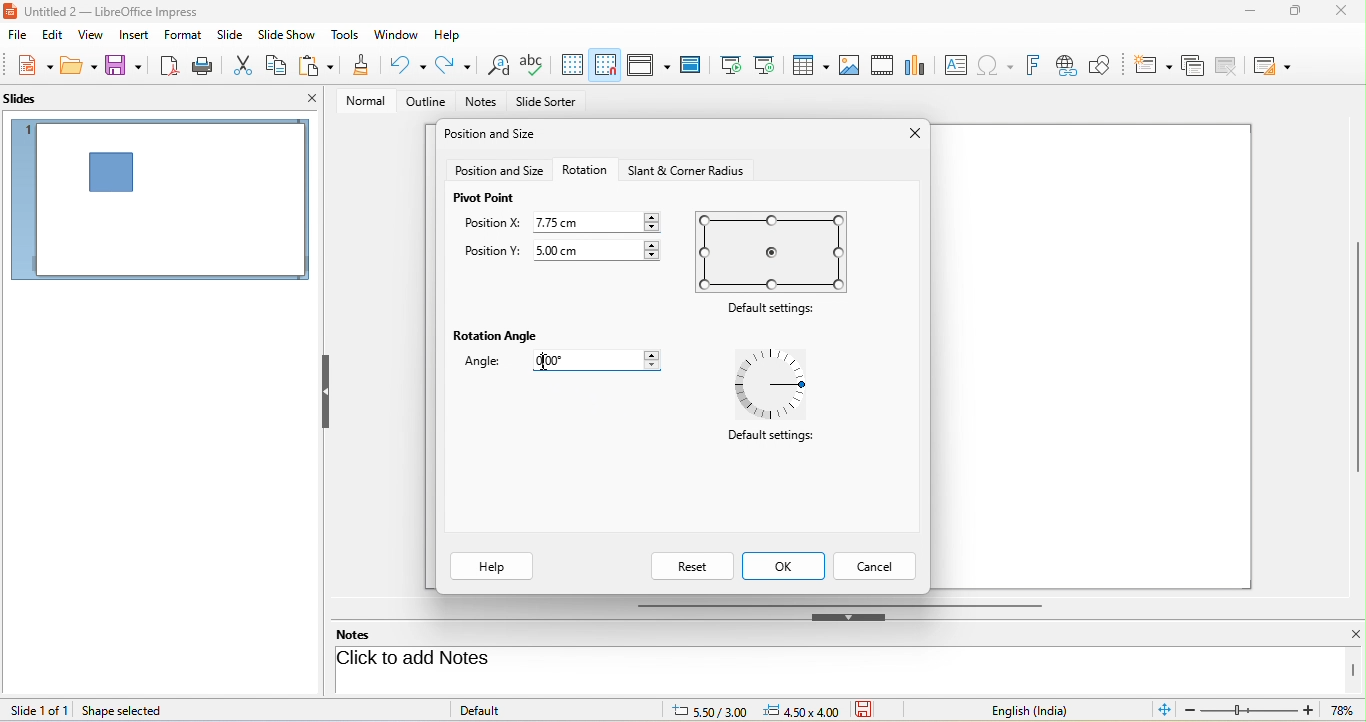  What do you see at coordinates (786, 566) in the screenshot?
I see `ok` at bounding box center [786, 566].